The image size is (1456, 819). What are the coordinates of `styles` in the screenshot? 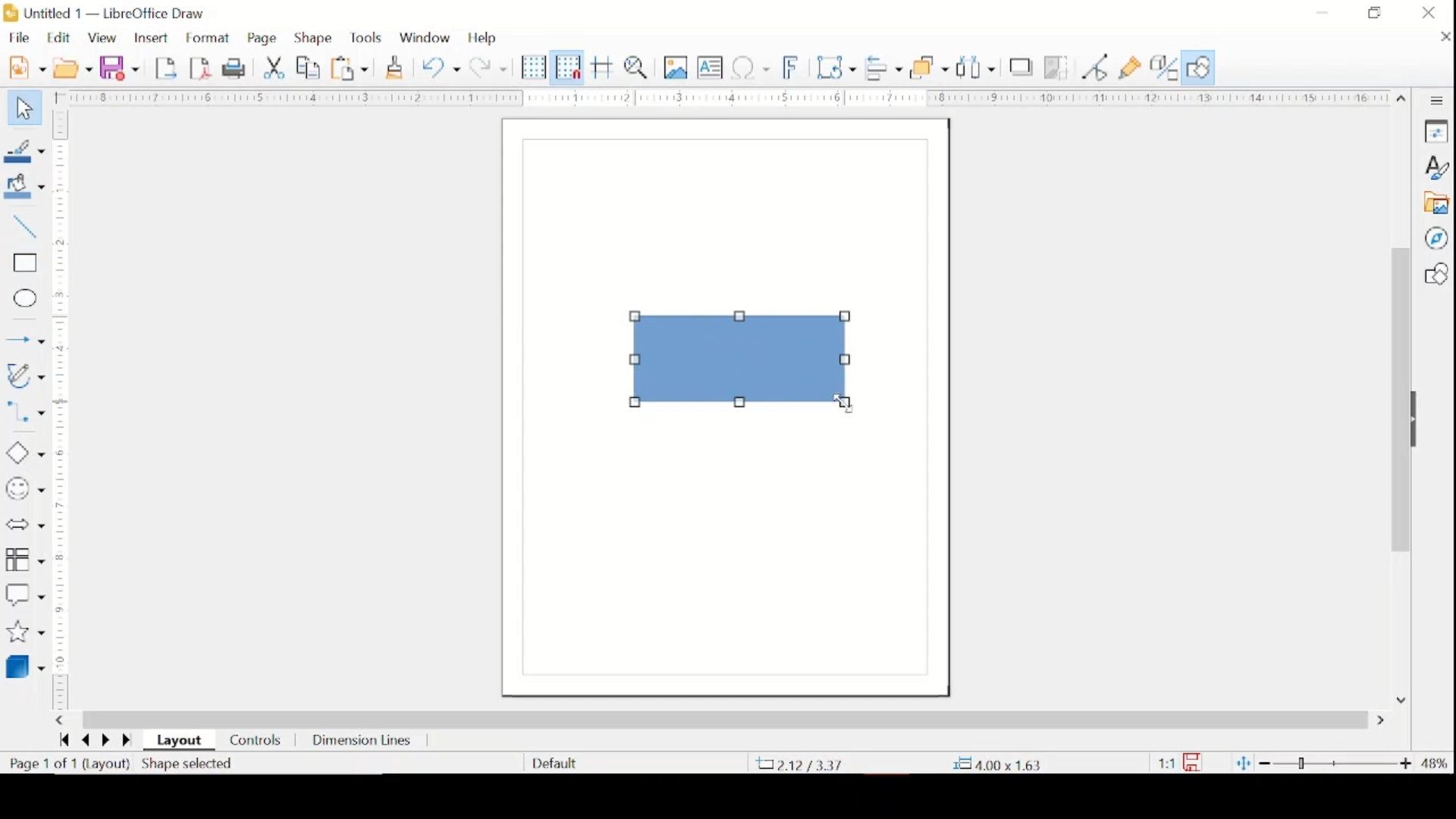 It's located at (1436, 168).